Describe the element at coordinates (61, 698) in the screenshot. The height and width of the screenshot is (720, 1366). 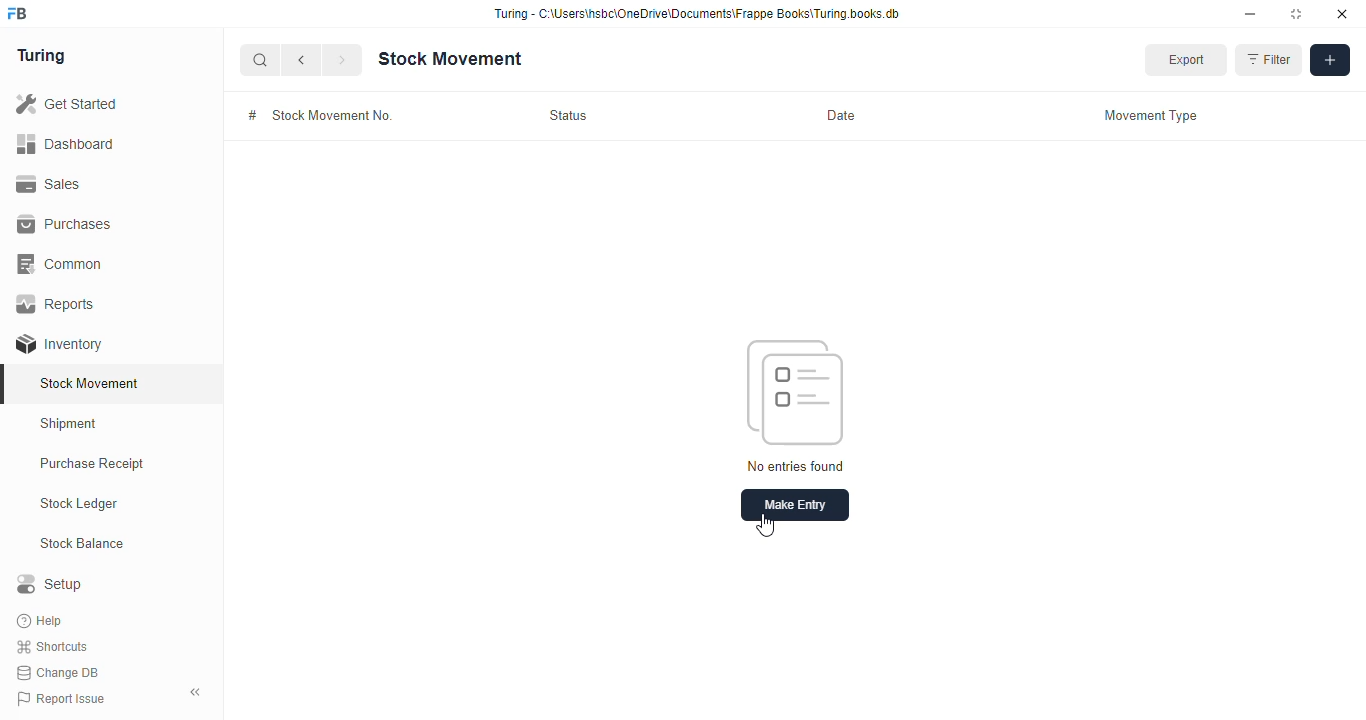
I see `report issue` at that location.